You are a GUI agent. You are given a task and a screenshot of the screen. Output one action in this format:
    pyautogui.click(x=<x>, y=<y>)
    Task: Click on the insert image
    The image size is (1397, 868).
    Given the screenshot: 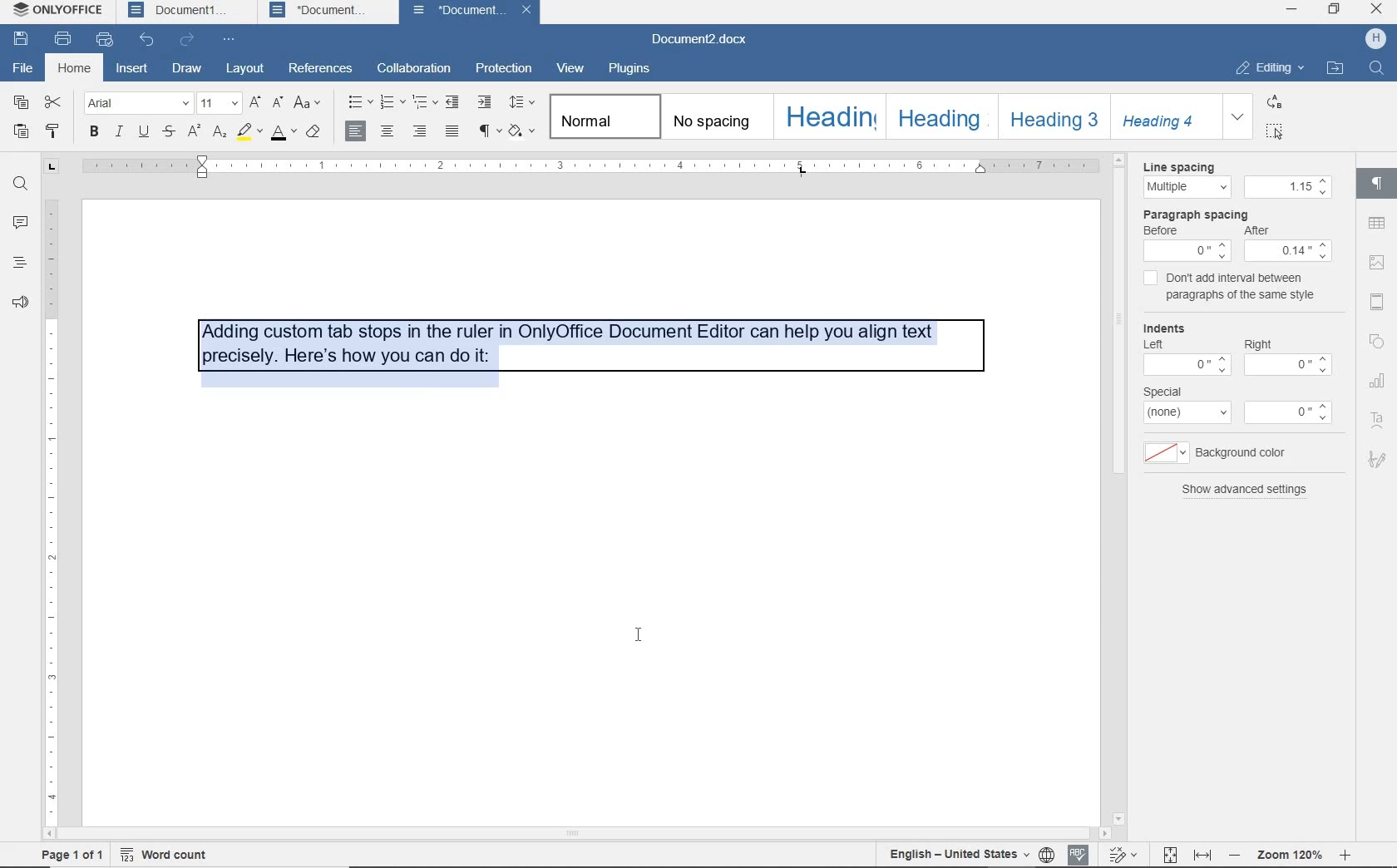 What is the action you would take?
    pyautogui.click(x=1376, y=264)
    